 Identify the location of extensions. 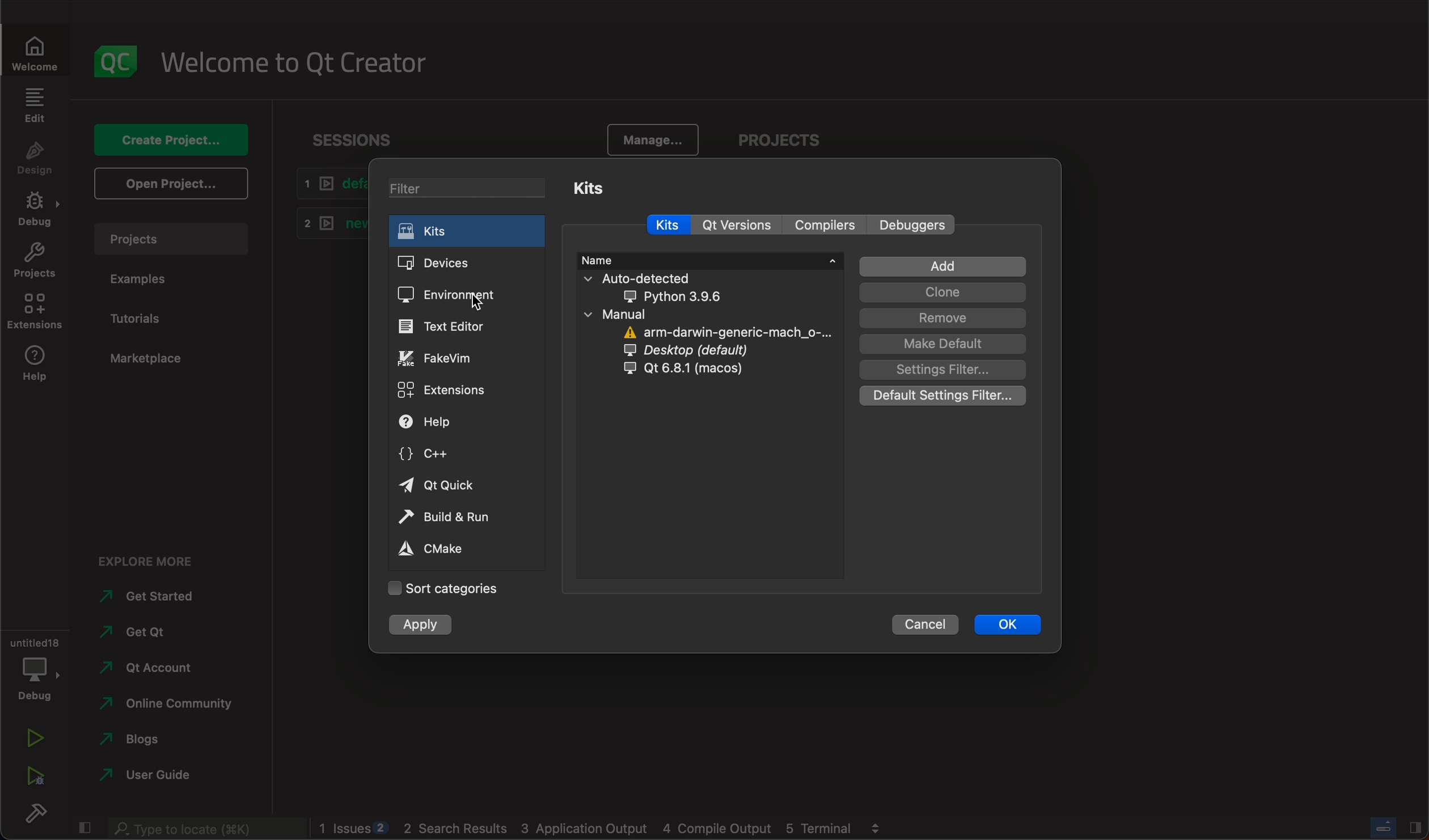
(36, 312).